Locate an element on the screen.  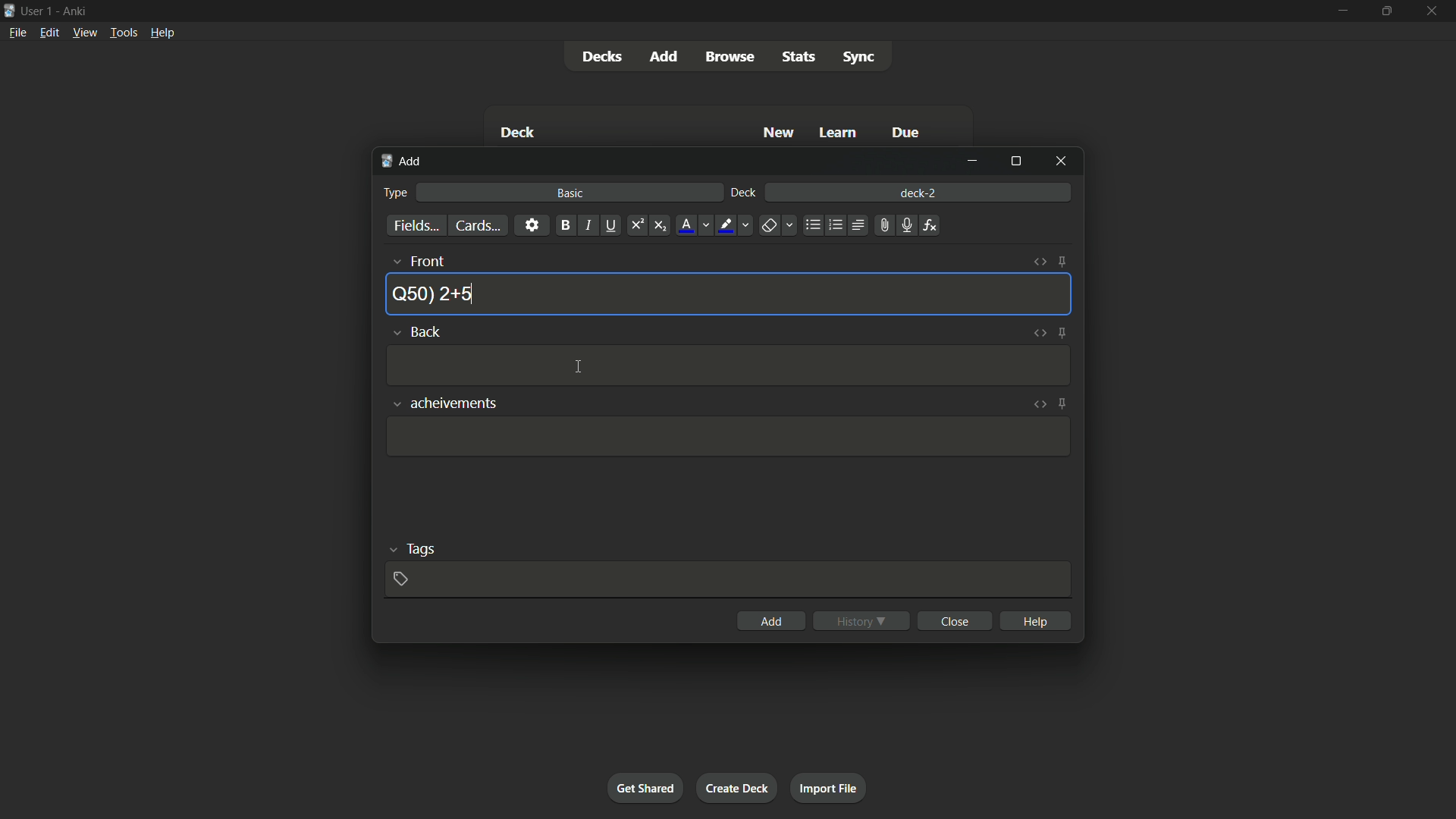
toggle html editor is located at coordinates (1039, 405).